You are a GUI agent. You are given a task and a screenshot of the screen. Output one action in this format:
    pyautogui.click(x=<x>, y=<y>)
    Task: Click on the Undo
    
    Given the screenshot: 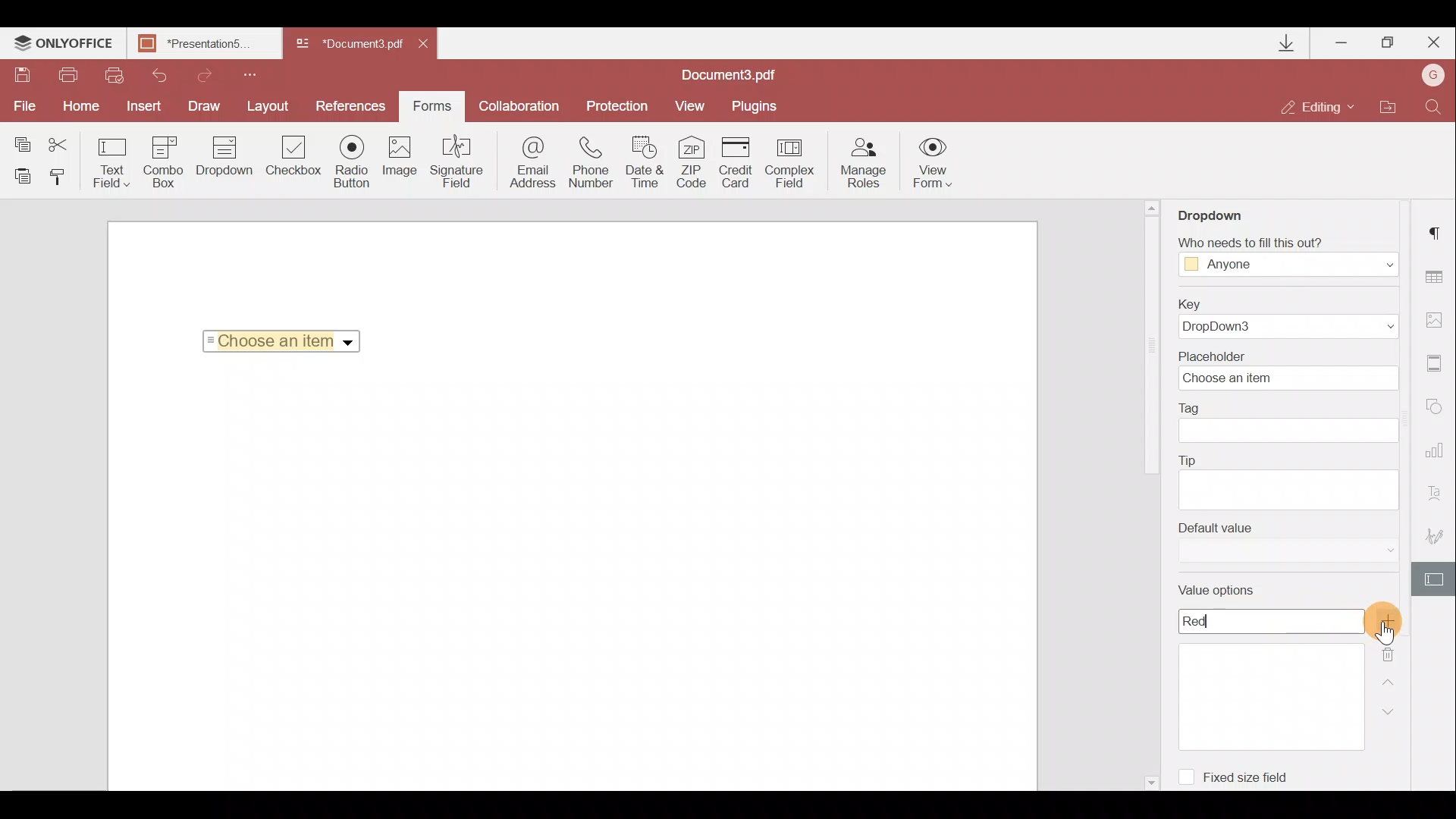 What is the action you would take?
    pyautogui.click(x=158, y=76)
    